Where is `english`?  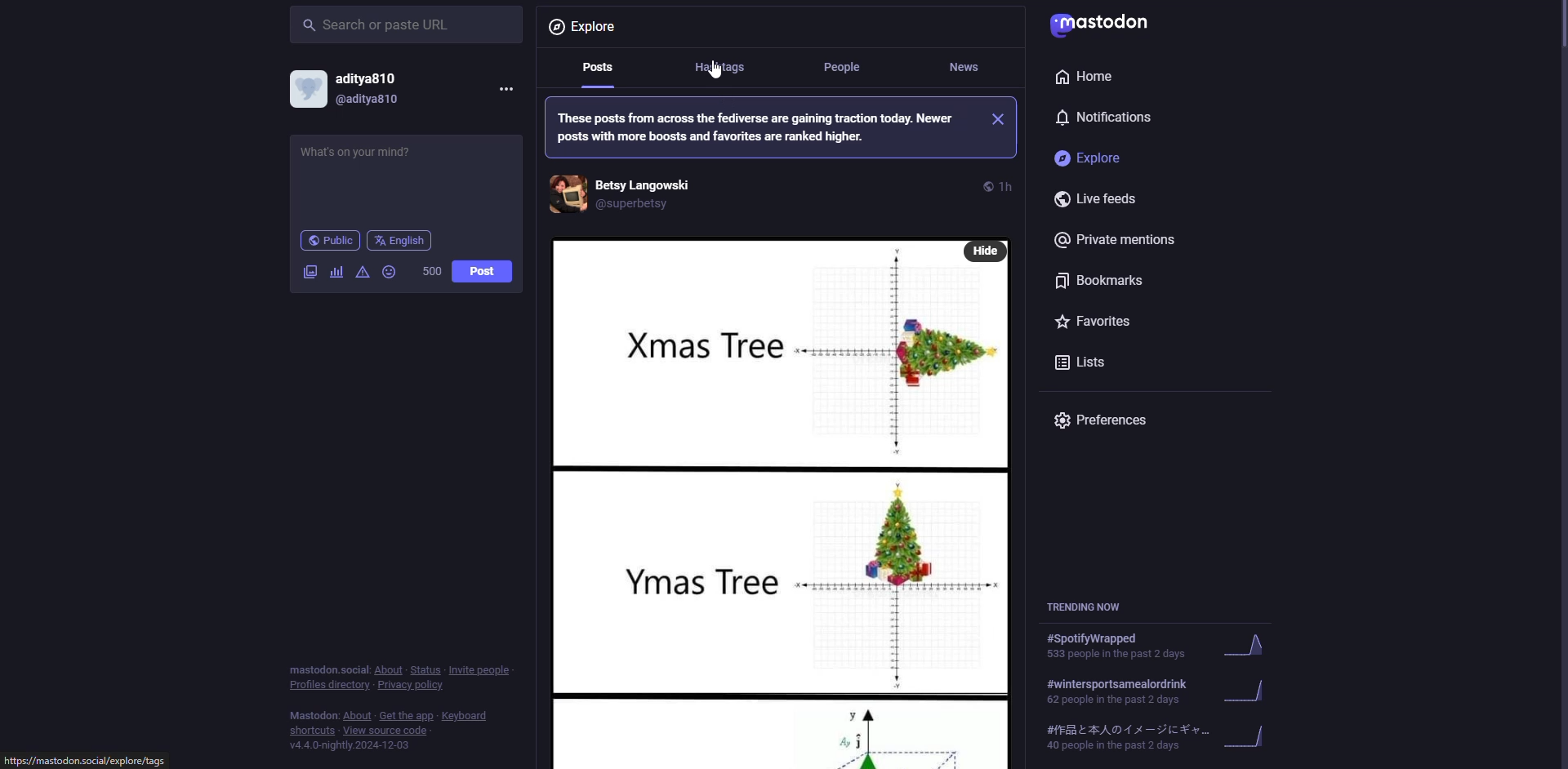 english is located at coordinates (403, 241).